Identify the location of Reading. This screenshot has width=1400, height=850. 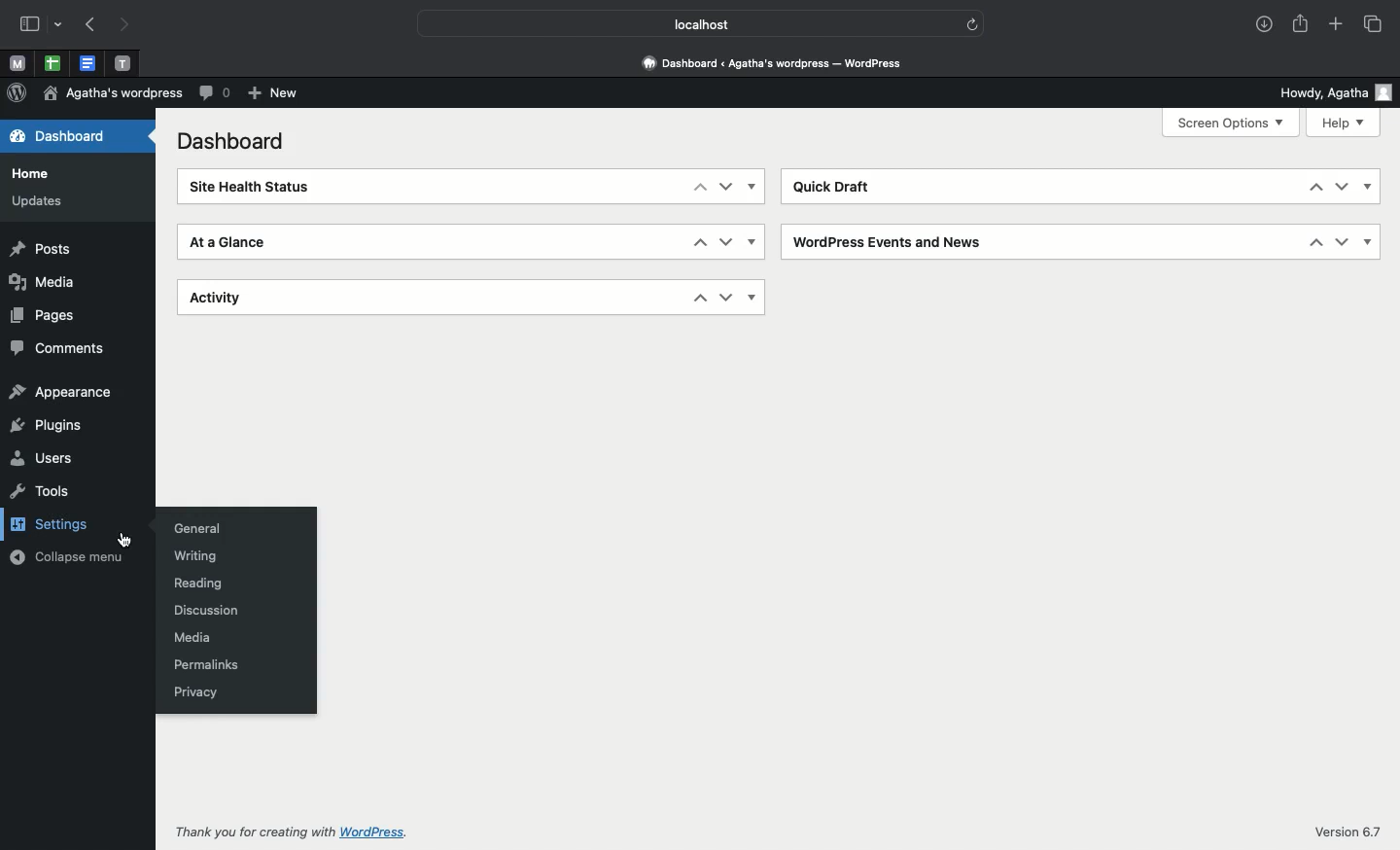
(193, 585).